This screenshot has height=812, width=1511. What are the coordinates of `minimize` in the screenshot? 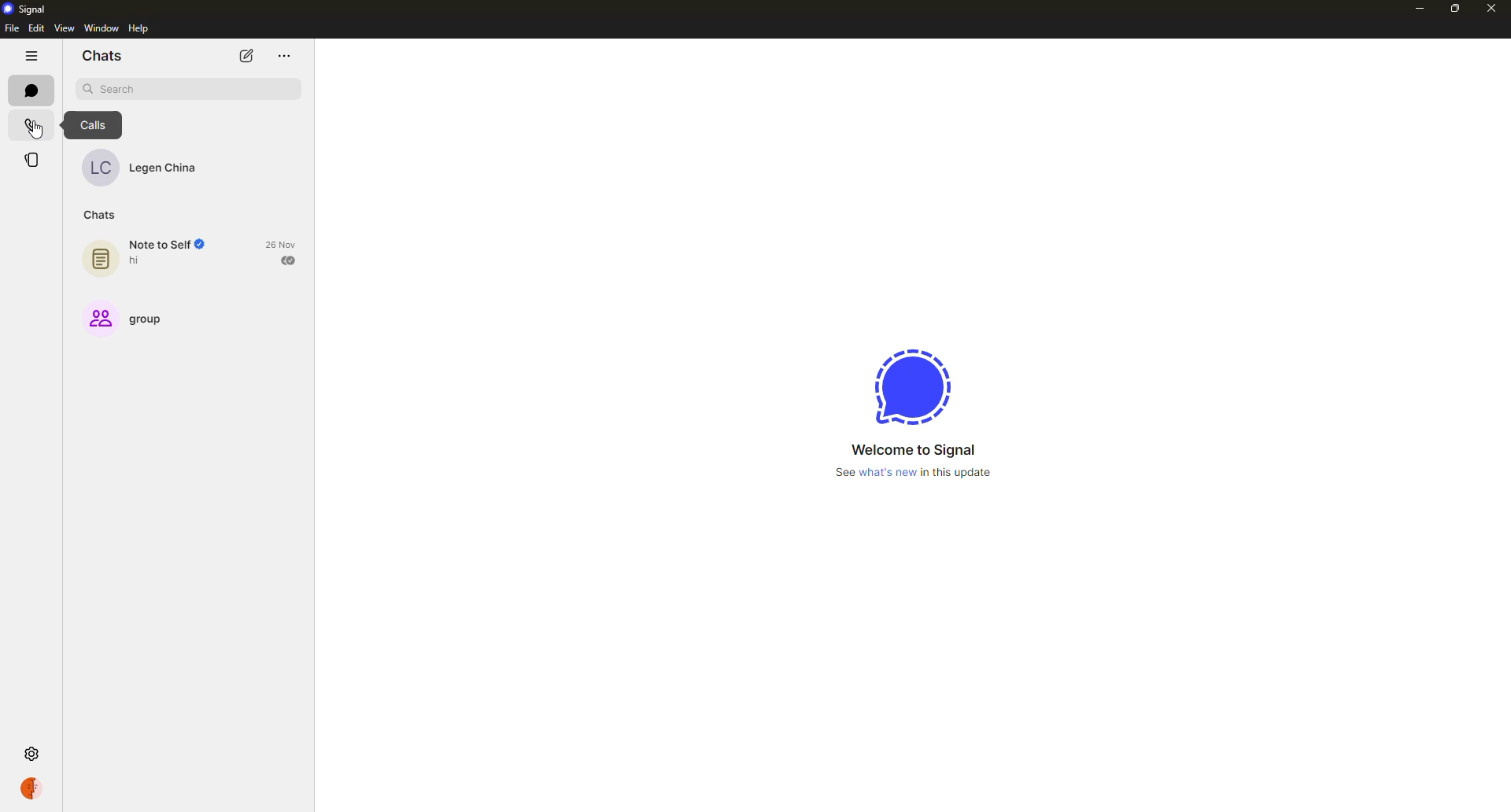 It's located at (1420, 10).